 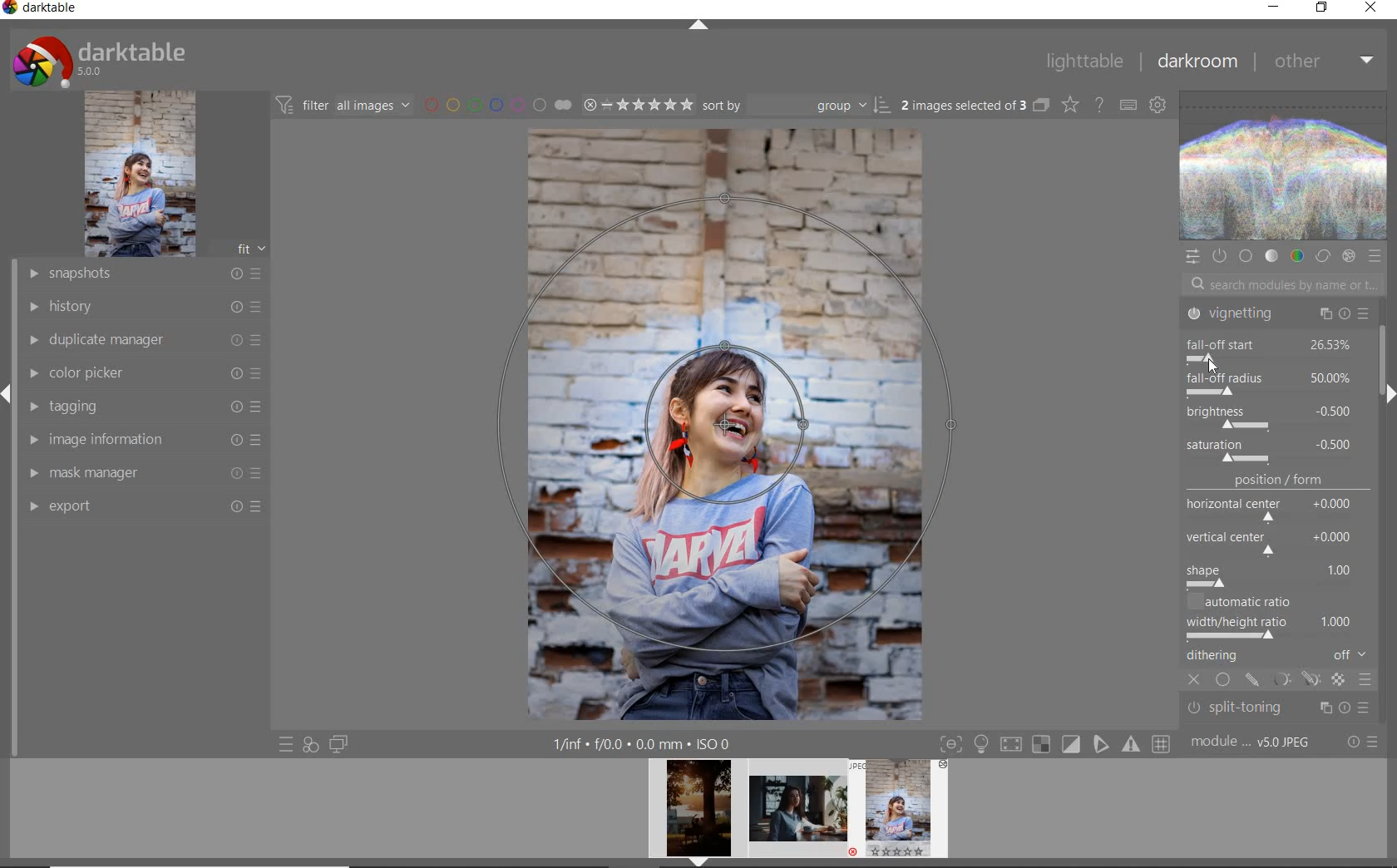 I want to click on graduated density, so click(x=1279, y=318).